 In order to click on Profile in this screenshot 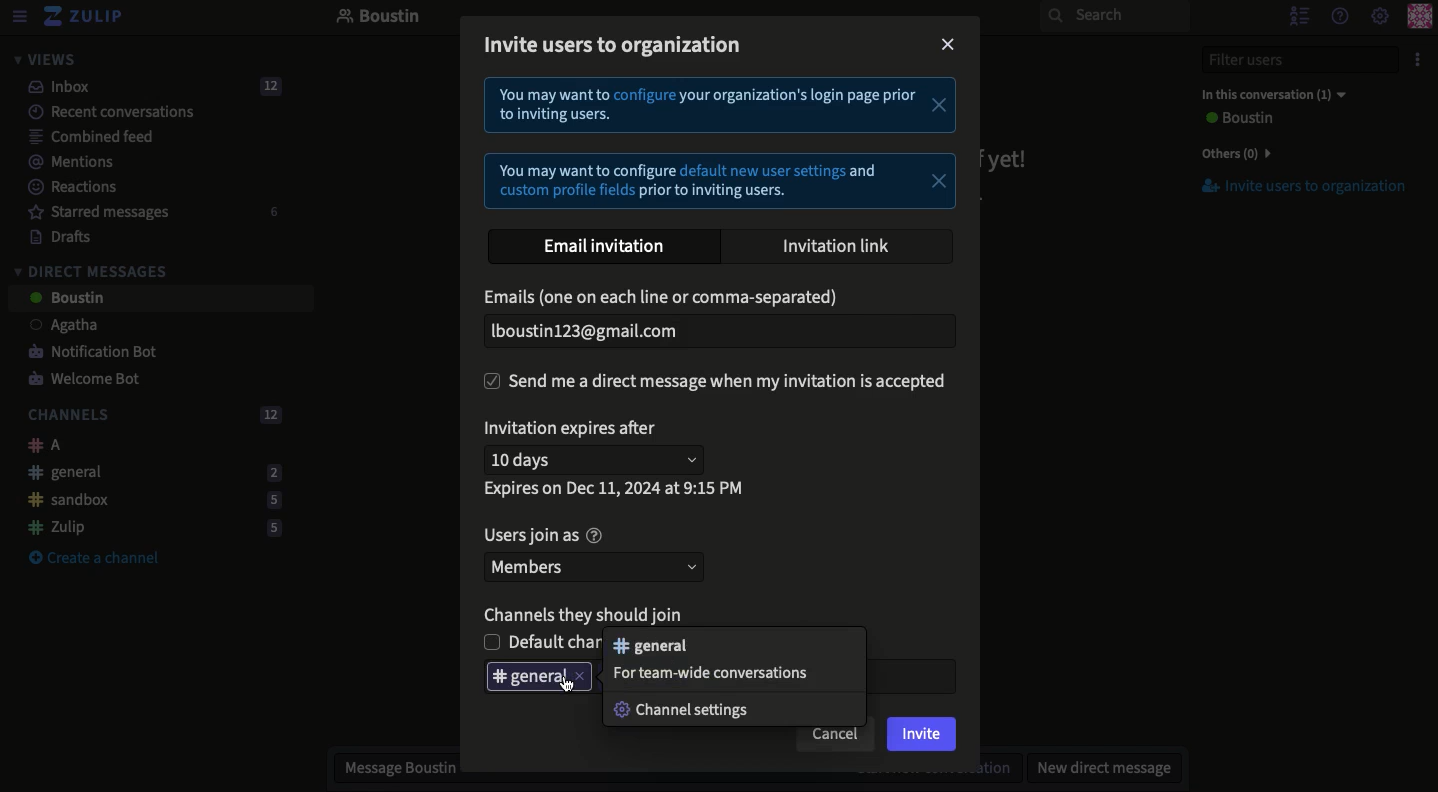, I will do `click(1419, 18)`.